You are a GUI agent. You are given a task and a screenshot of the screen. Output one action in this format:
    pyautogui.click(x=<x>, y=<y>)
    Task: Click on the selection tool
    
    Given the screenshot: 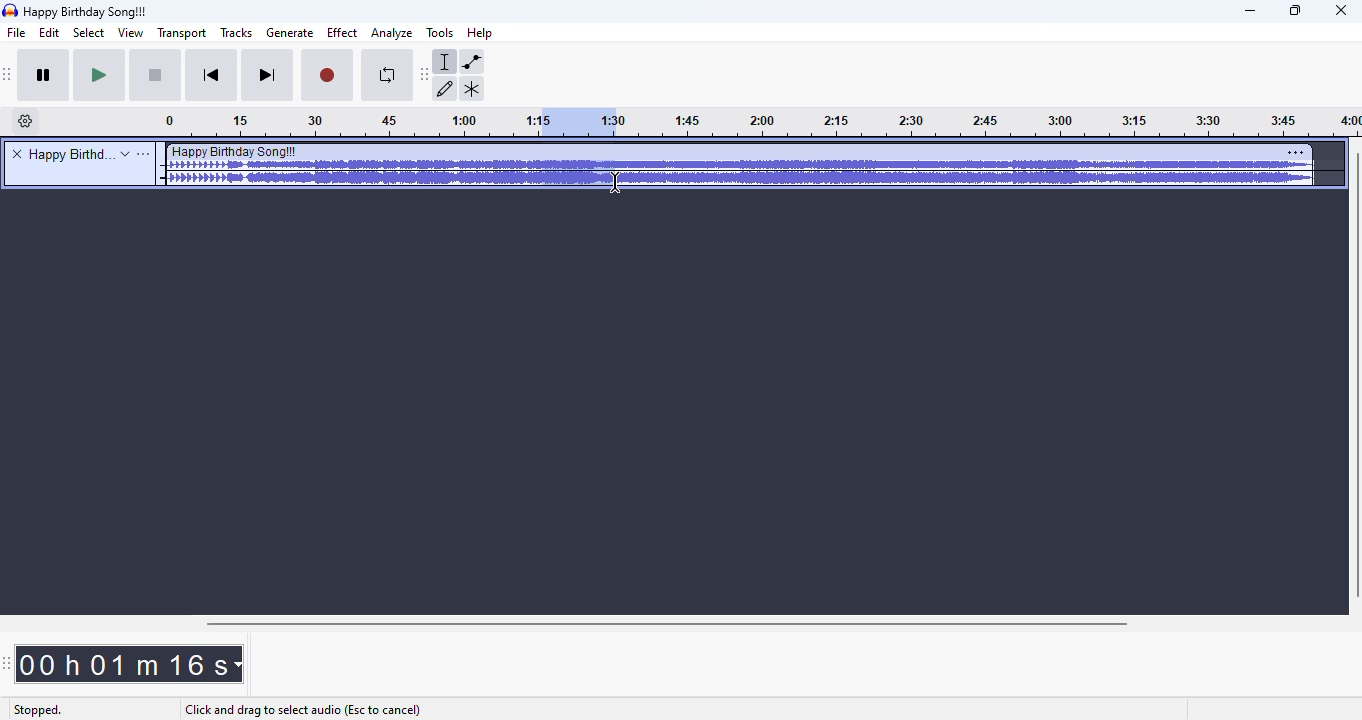 What is the action you would take?
    pyautogui.click(x=446, y=62)
    